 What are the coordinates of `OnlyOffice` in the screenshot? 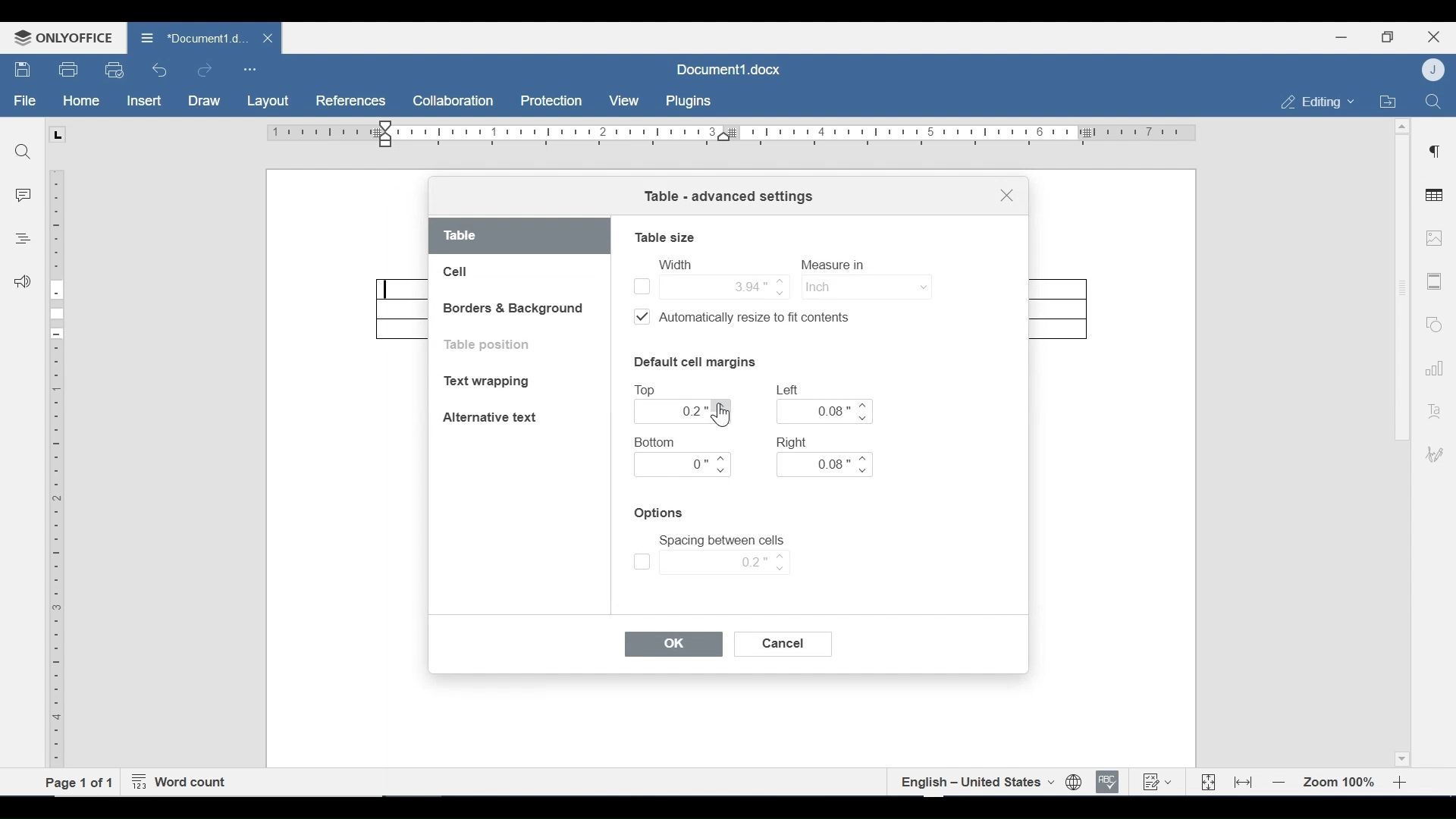 It's located at (61, 37).